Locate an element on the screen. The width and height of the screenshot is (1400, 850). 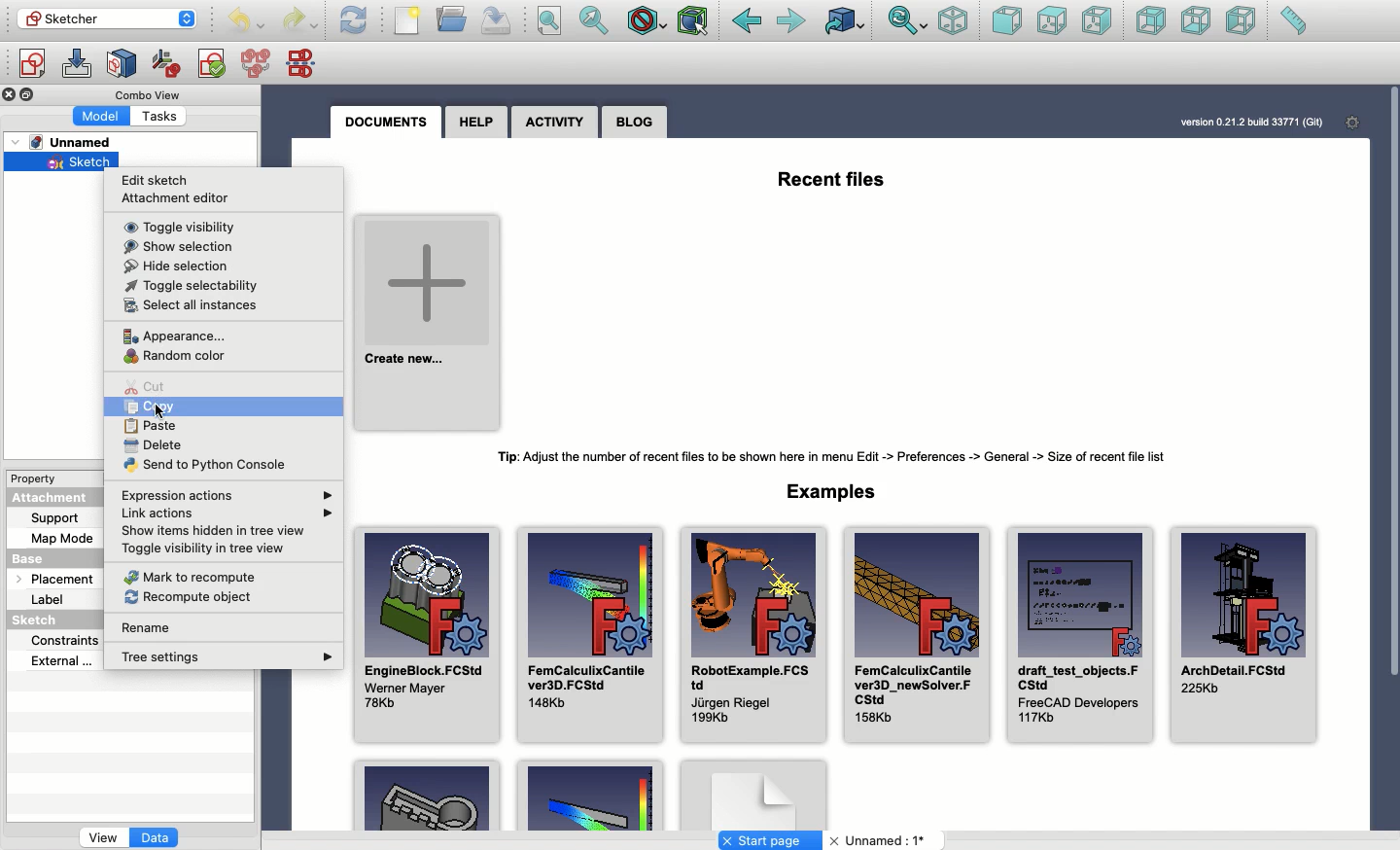
Reorient sketch is located at coordinates (167, 64).